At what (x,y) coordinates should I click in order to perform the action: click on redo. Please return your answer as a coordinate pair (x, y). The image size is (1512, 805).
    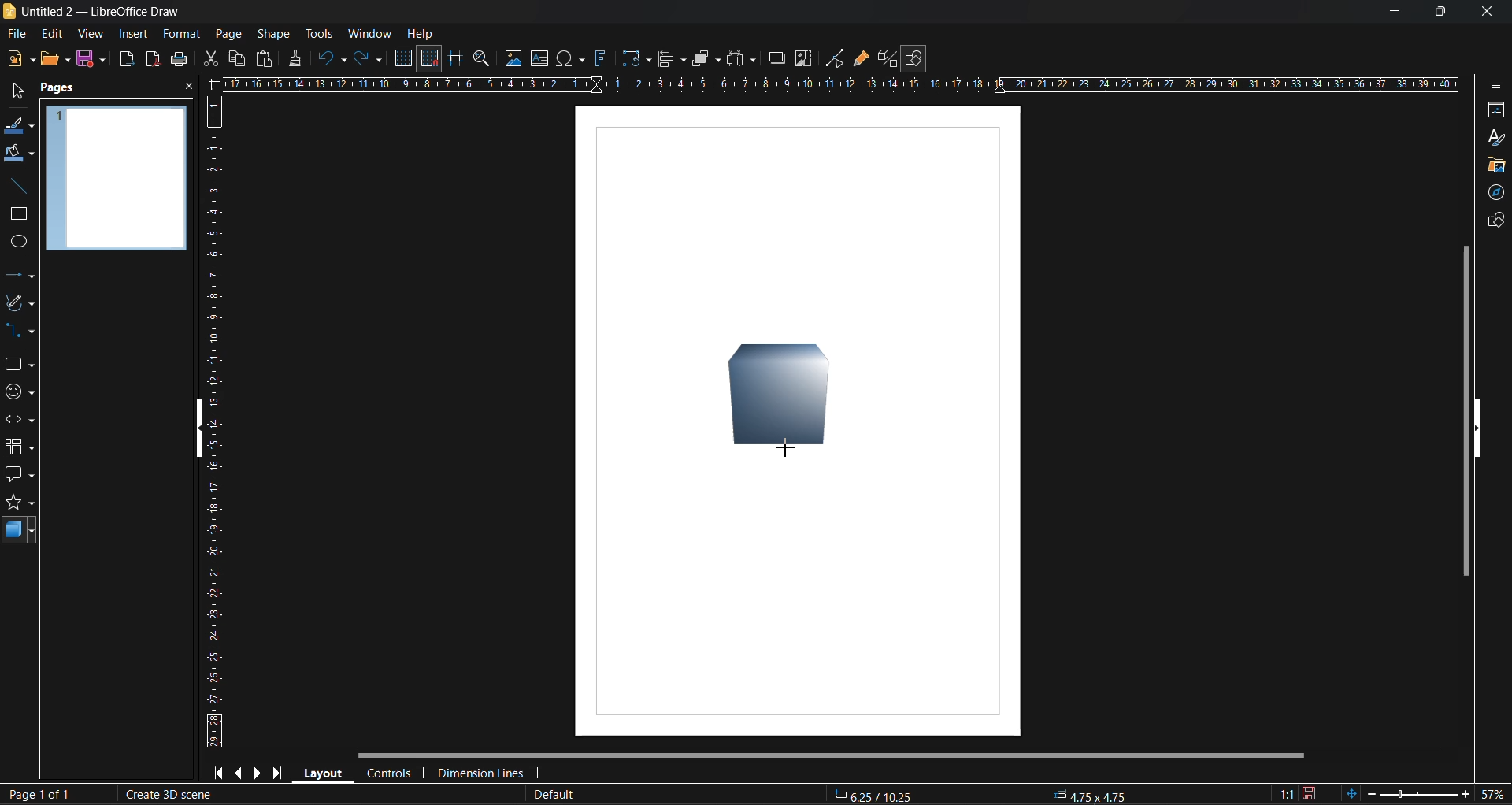
    Looking at the image, I should click on (366, 61).